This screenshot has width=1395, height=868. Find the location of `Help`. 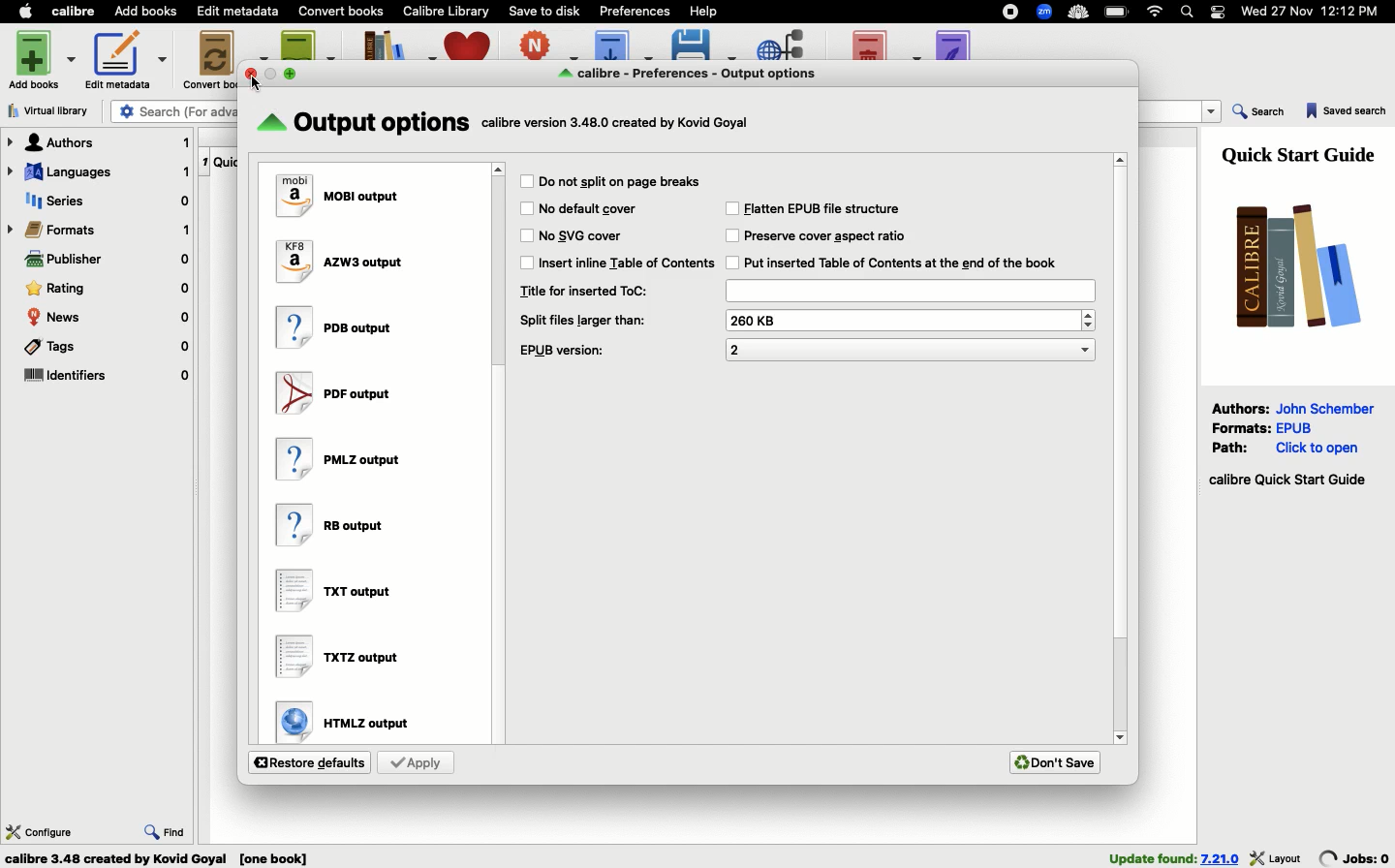

Help is located at coordinates (702, 10).